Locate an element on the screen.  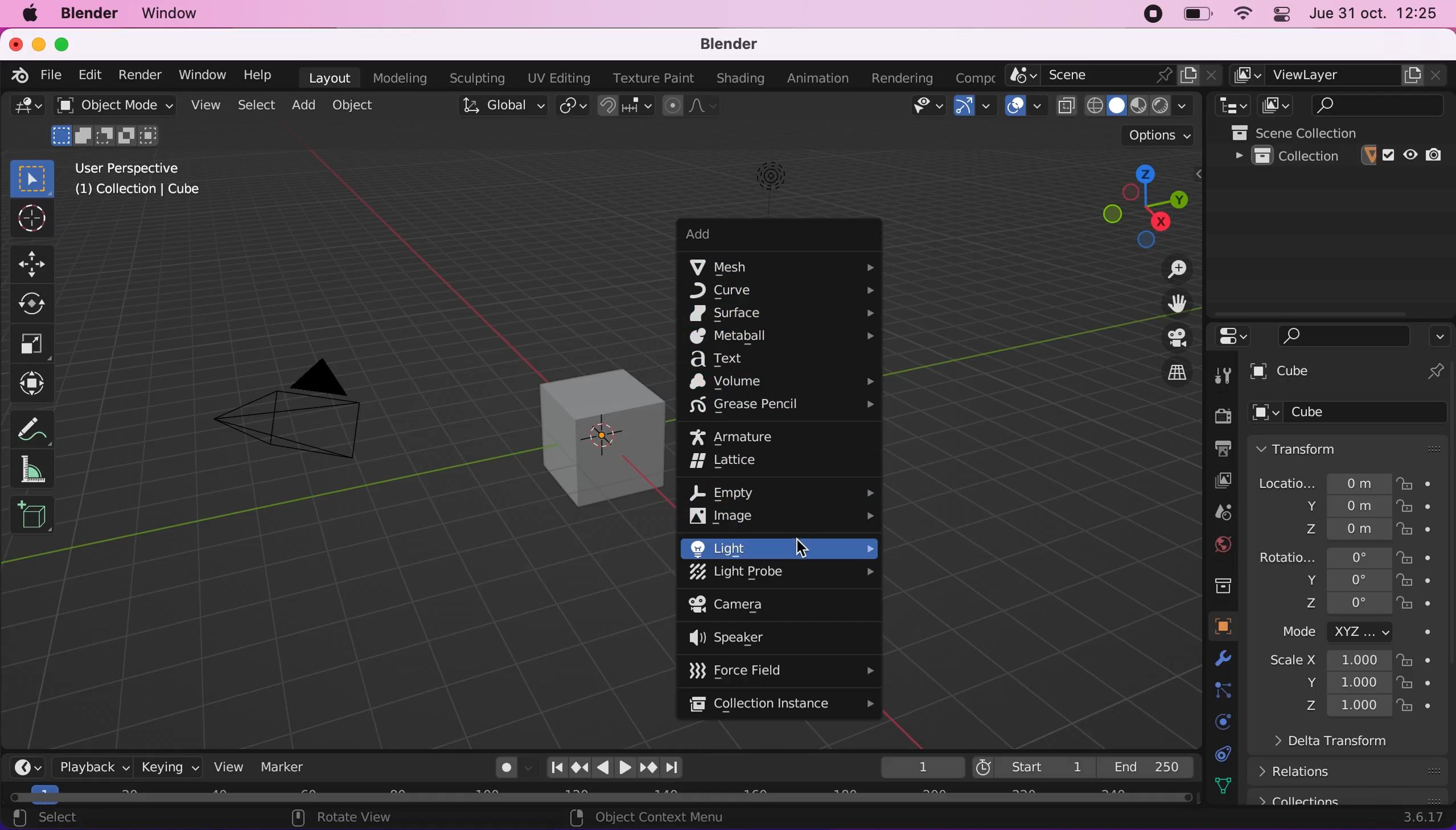
overlays is located at coordinates (1023, 106).